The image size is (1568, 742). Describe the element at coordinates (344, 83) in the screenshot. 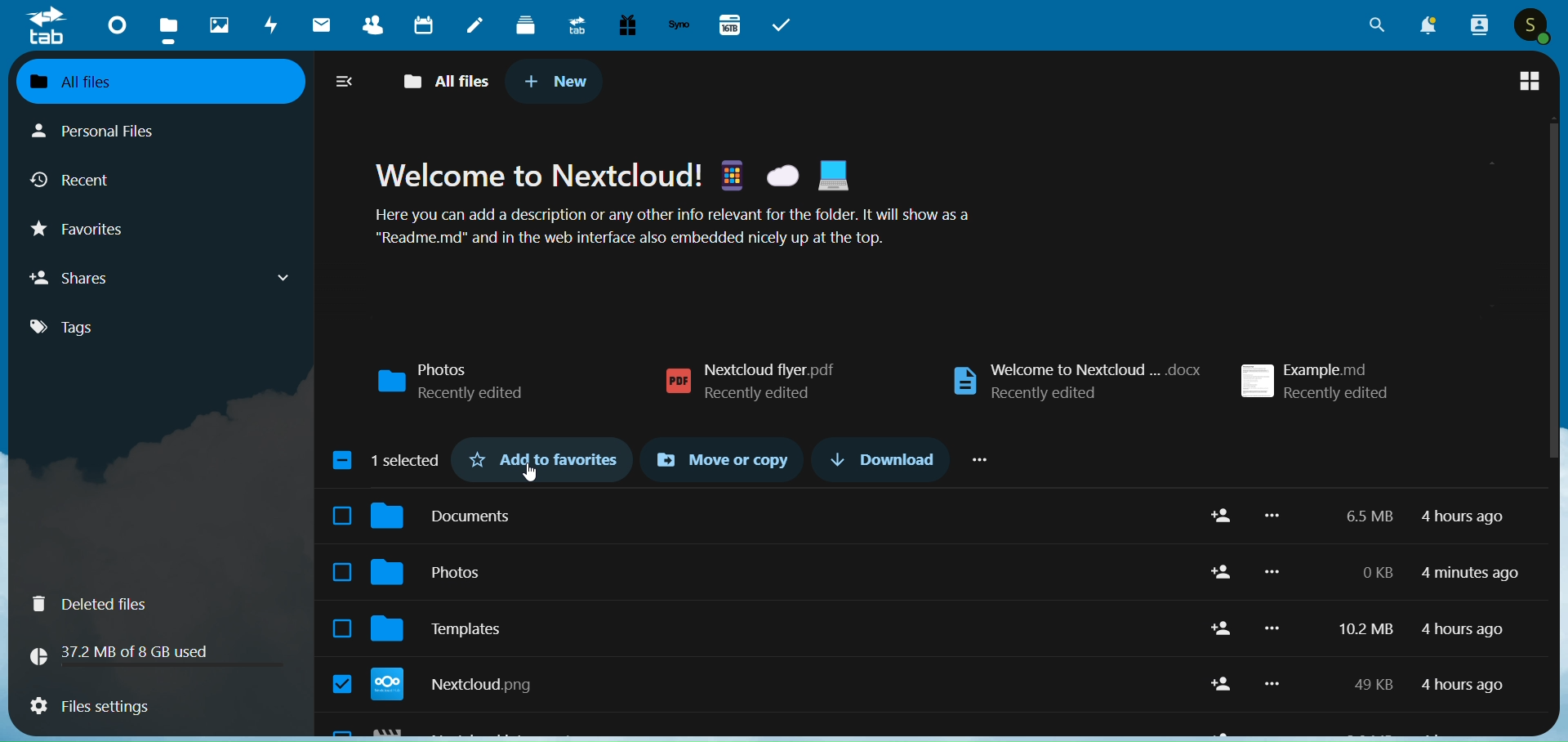

I see `collapse/expand` at that location.